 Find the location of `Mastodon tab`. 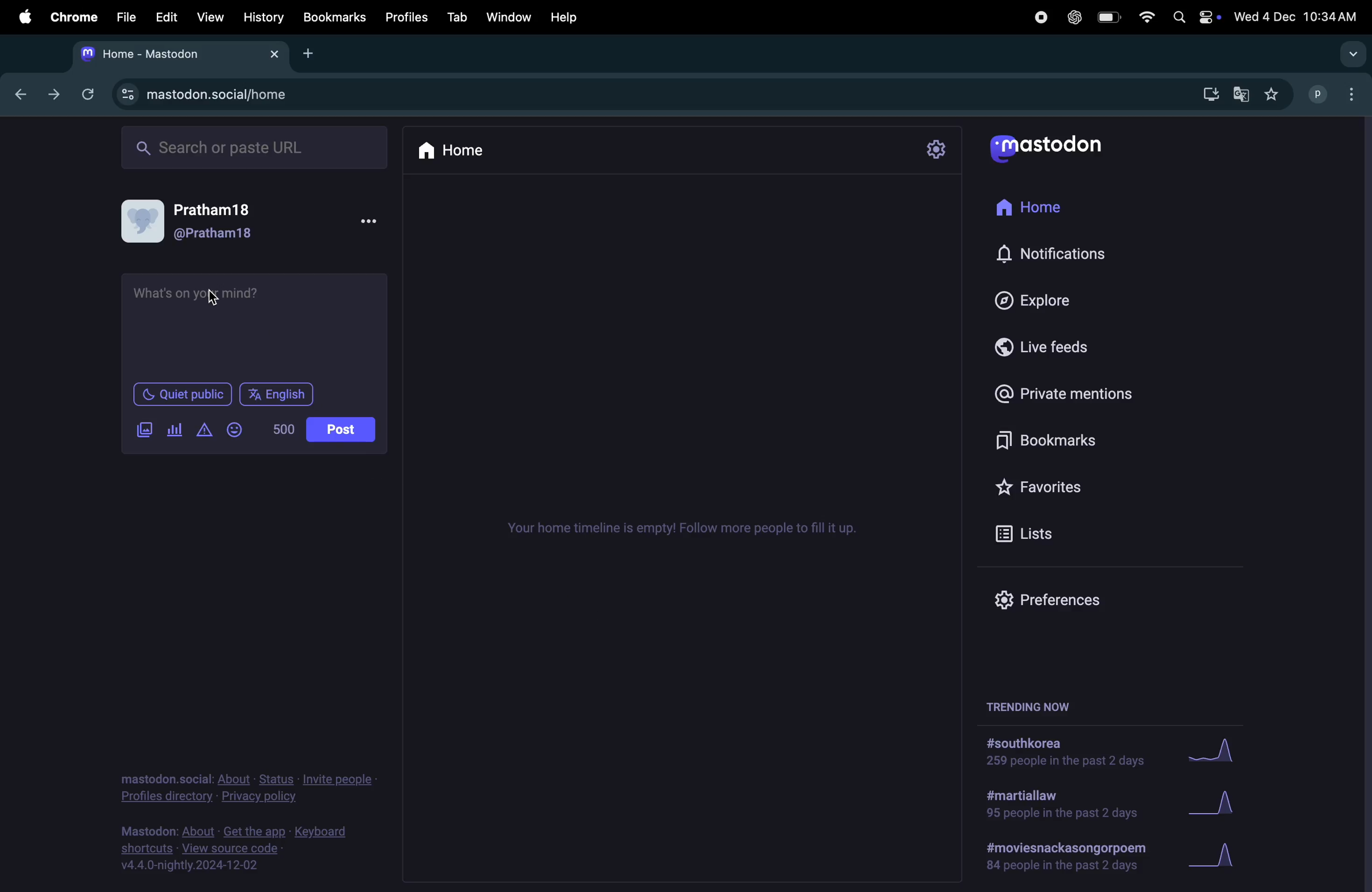

Mastodon tab is located at coordinates (177, 54).